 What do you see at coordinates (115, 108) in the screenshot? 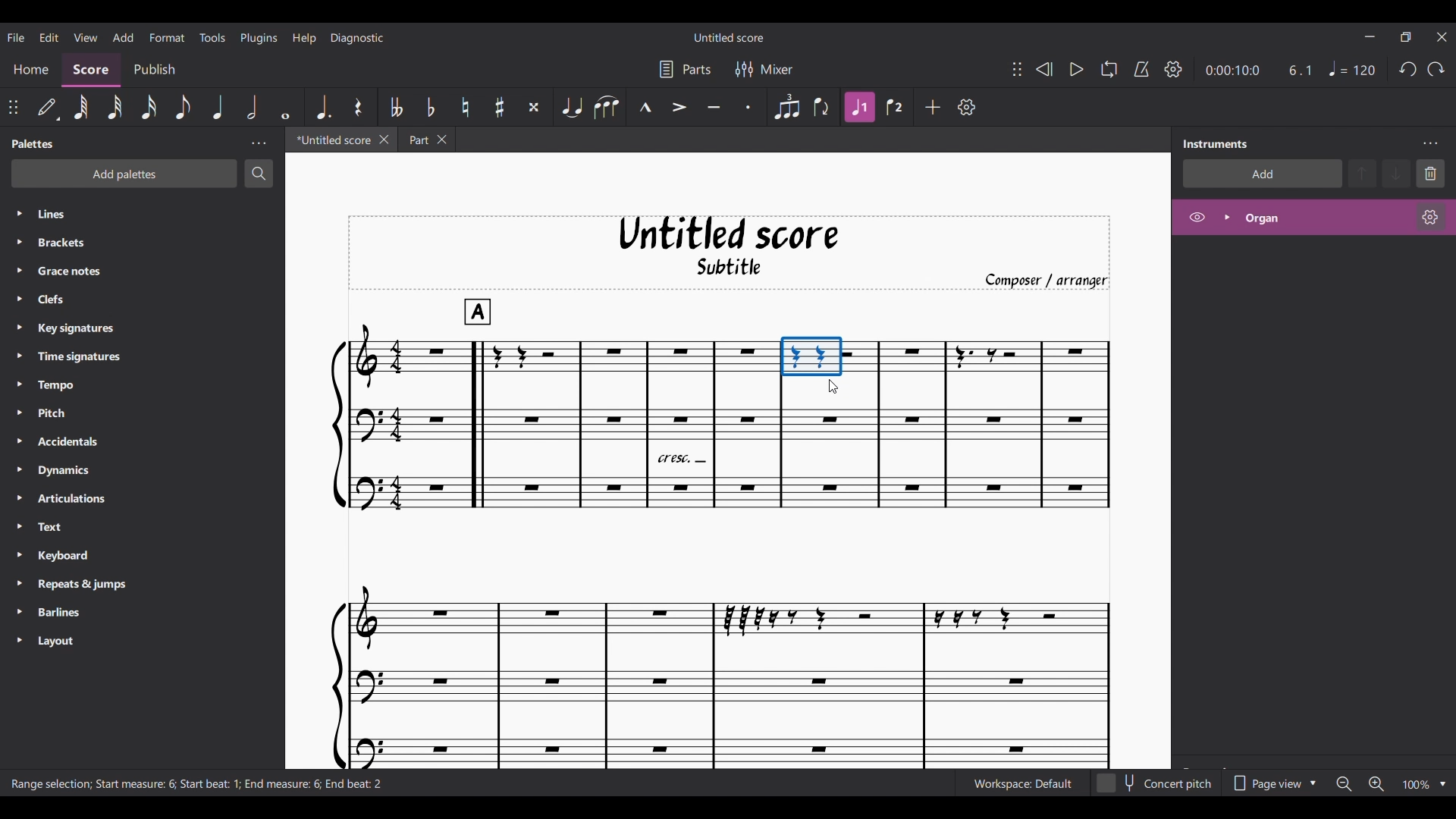
I see `32nd note` at bounding box center [115, 108].